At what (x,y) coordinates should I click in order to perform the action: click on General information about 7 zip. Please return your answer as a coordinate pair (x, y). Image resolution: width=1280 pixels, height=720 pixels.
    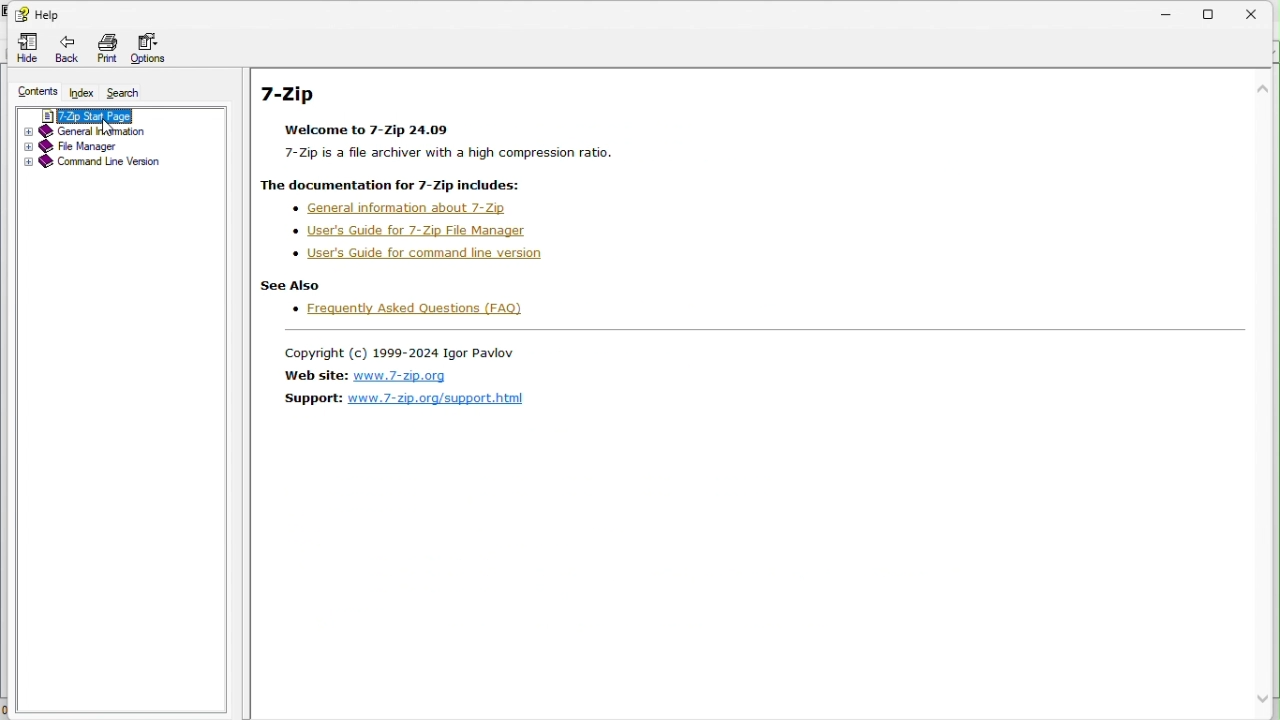
    Looking at the image, I should click on (394, 208).